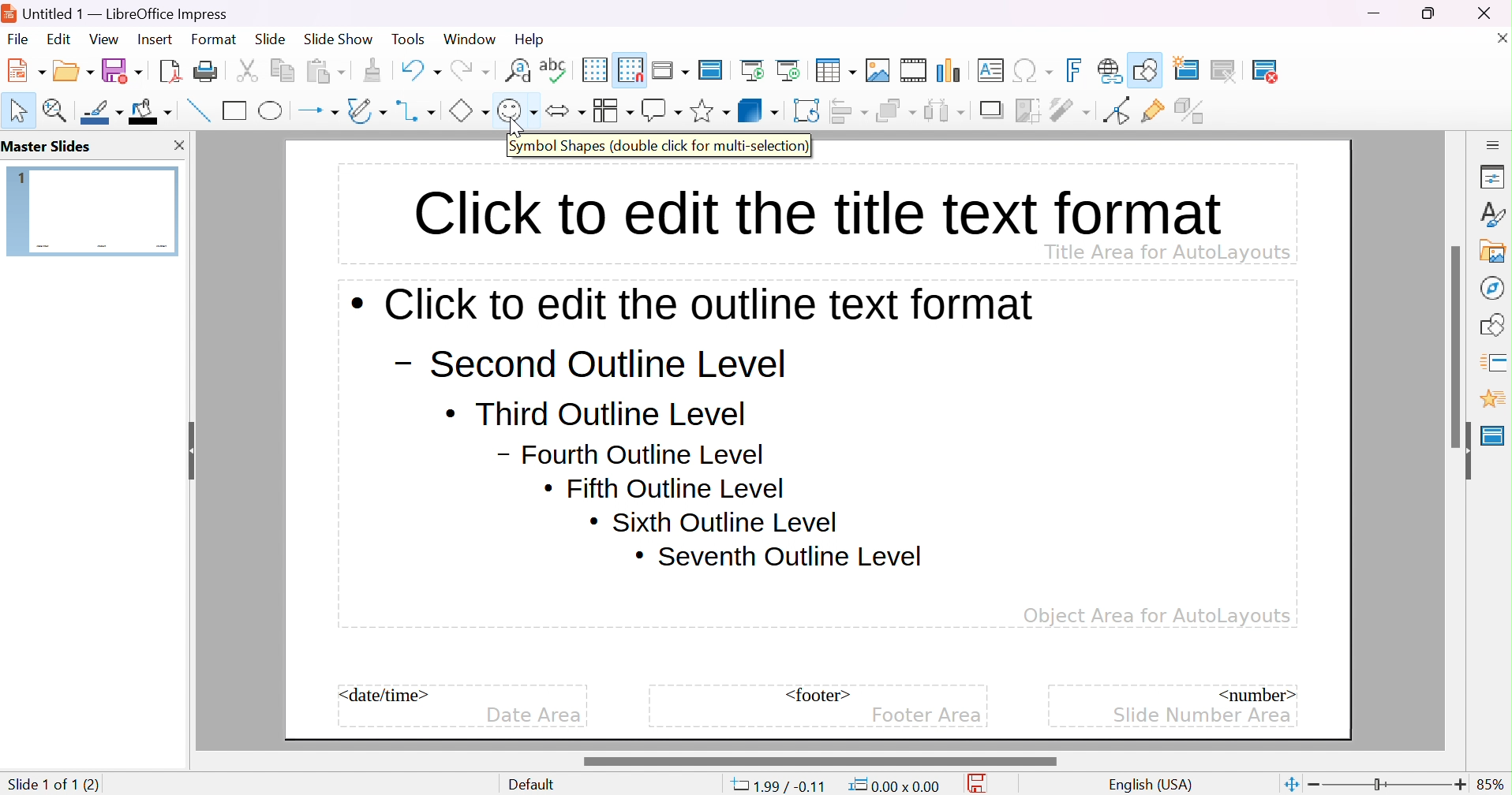 This screenshot has height=795, width=1512. I want to click on help, so click(531, 39).